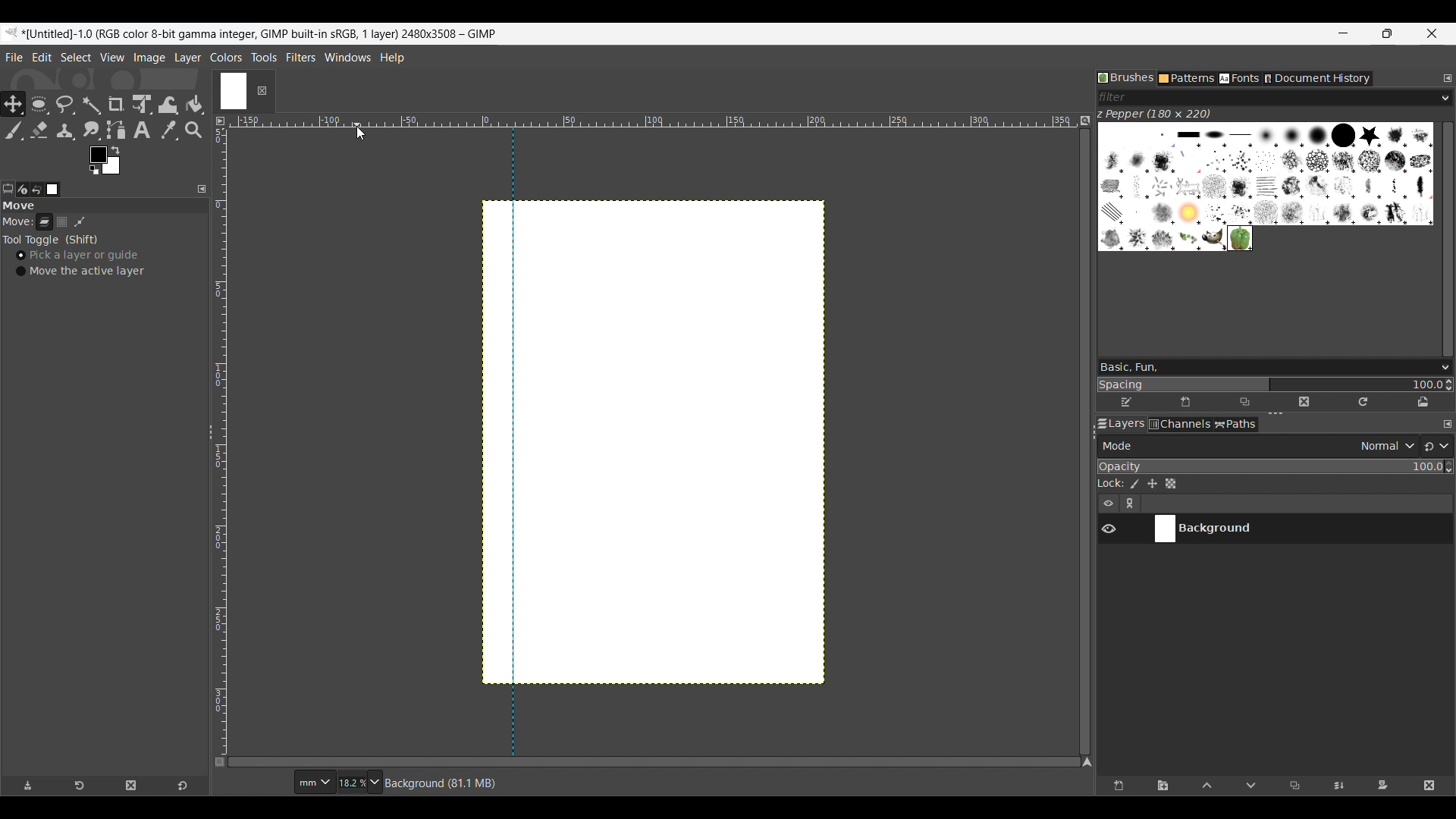  Describe the element at coordinates (1244, 403) in the screenshot. I see `Duplicate this brush` at that location.